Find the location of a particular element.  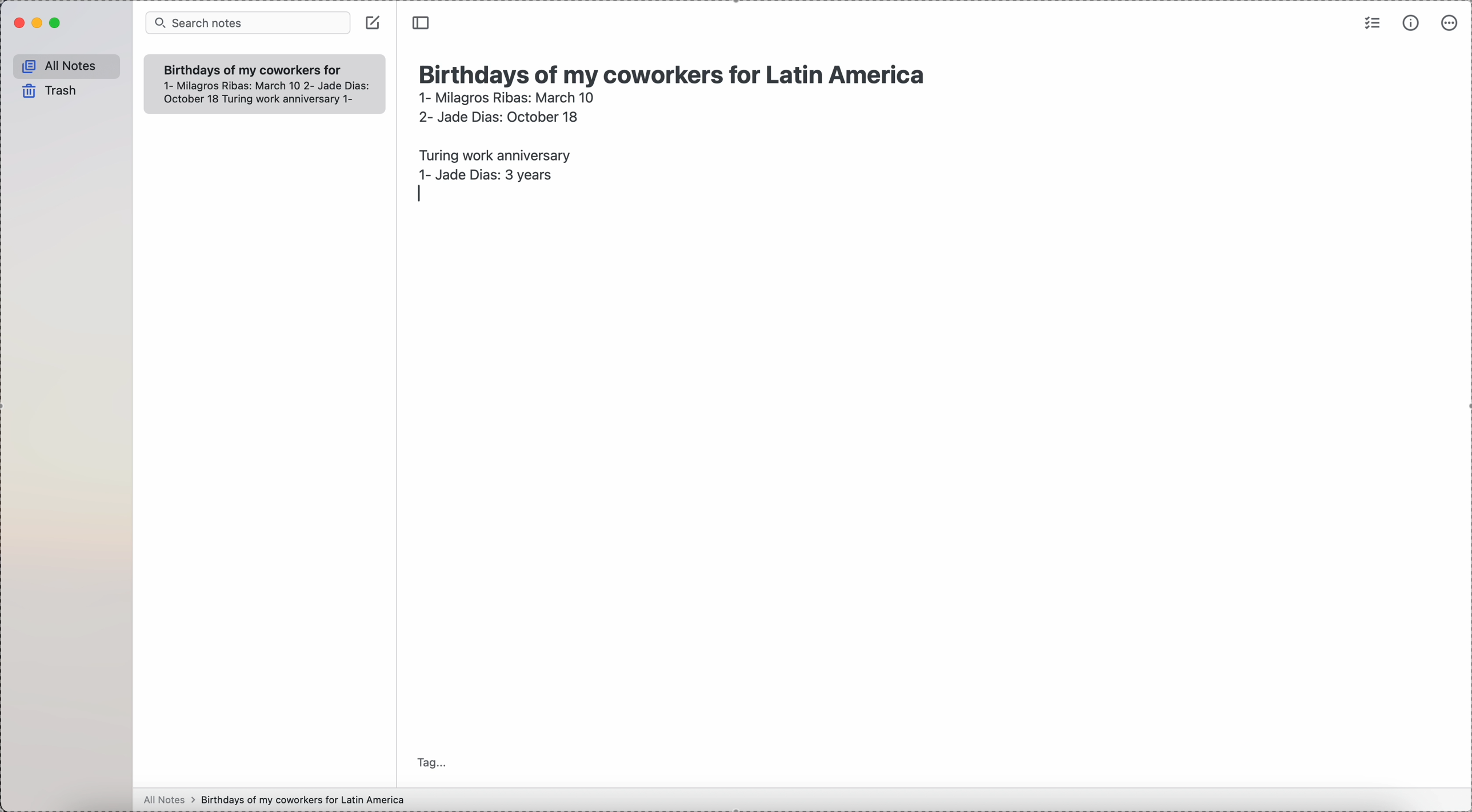

all notes is located at coordinates (67, 67).